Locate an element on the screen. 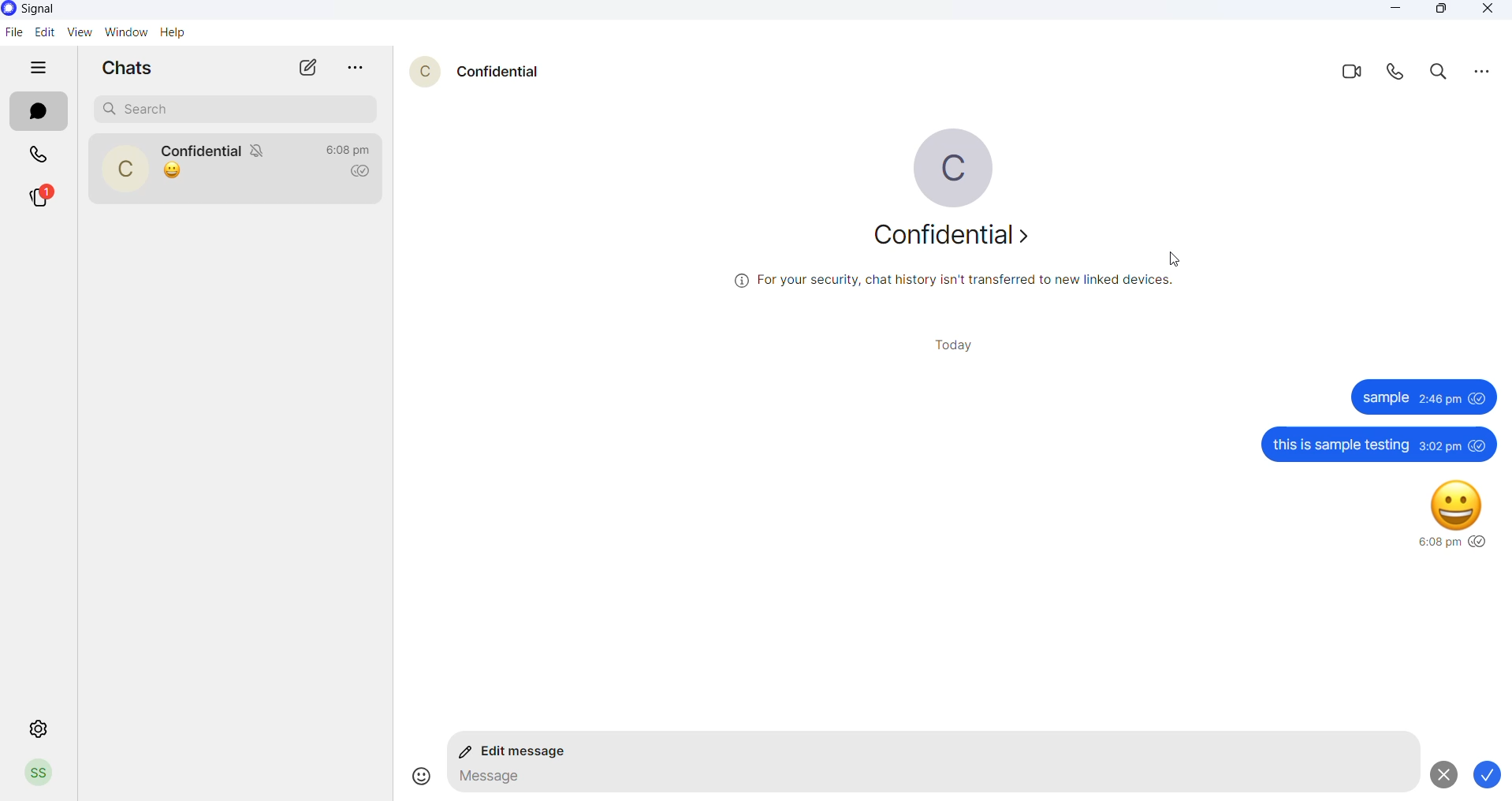  2:48 pm is located at coordinates (1440, 398).